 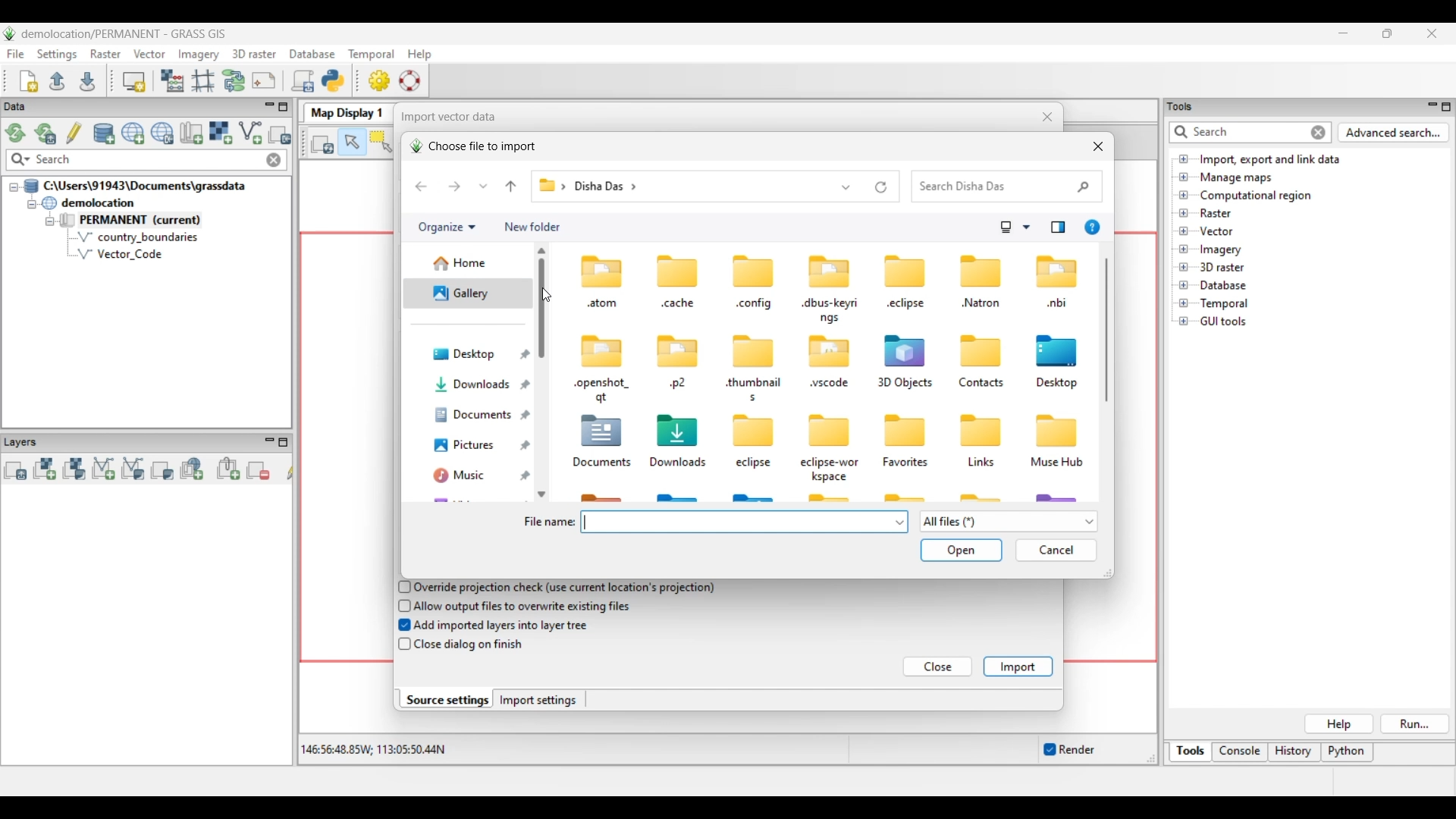 What do you see at coordinates (1184, 303) in the screenshot?
I see `Click to open Temporal` at bounding box center [1184, 303].